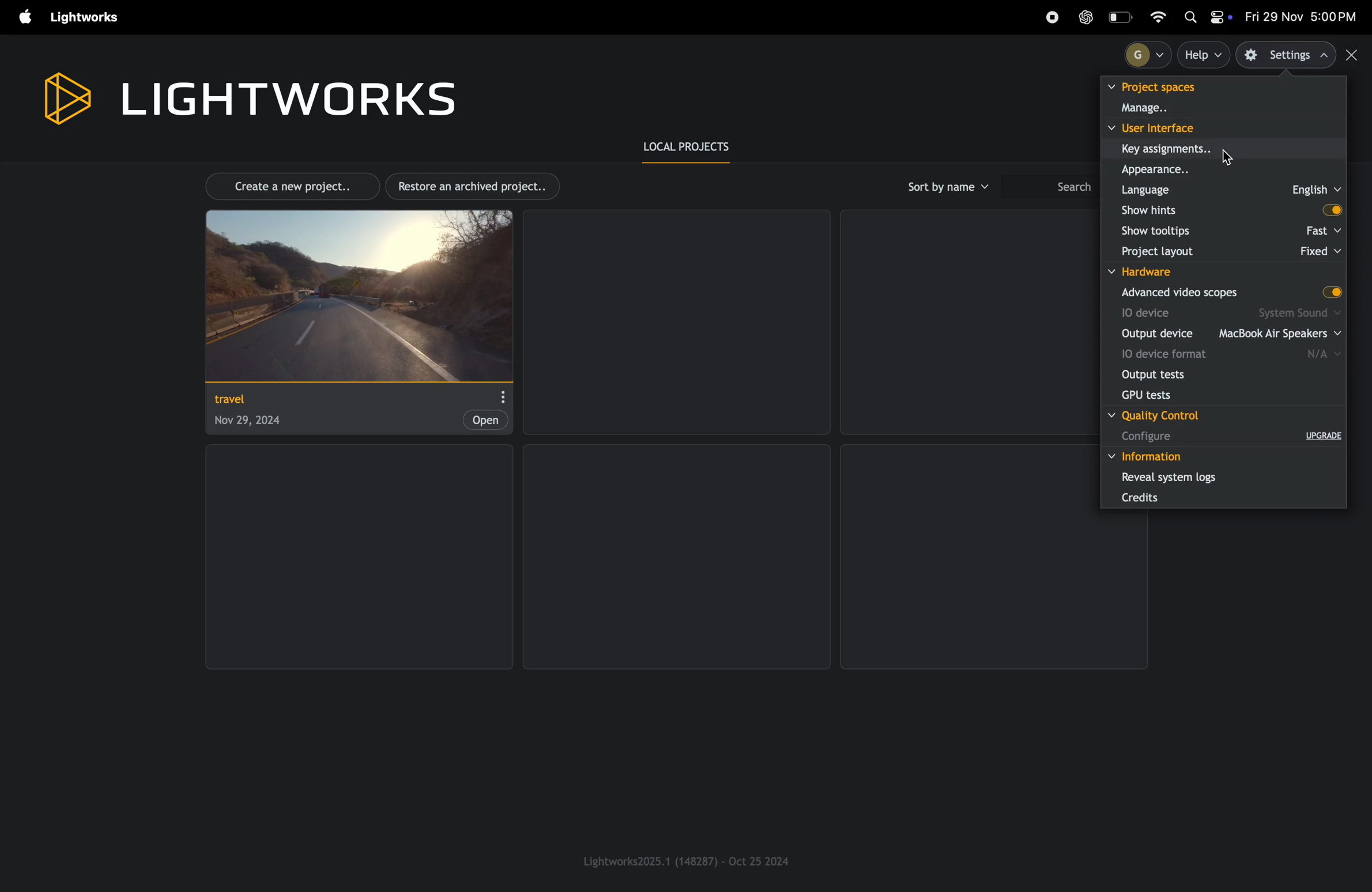  I want to click on settings, so click(1287, 55).